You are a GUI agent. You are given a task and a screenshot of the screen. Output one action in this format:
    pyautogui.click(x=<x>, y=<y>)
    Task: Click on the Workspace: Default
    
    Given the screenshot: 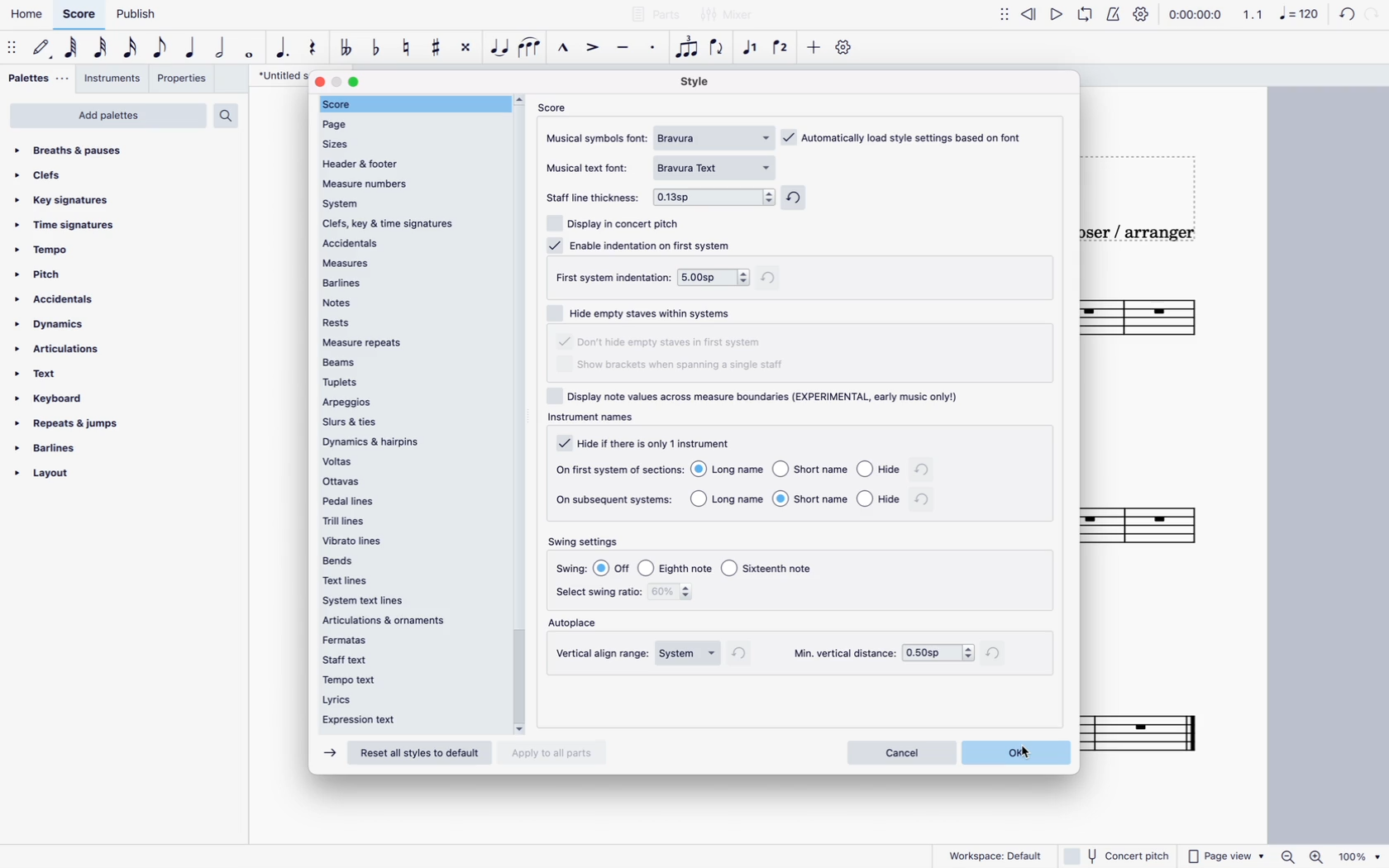 What is the action you would take?
    pyautogui.click(x=995, y=854)
    